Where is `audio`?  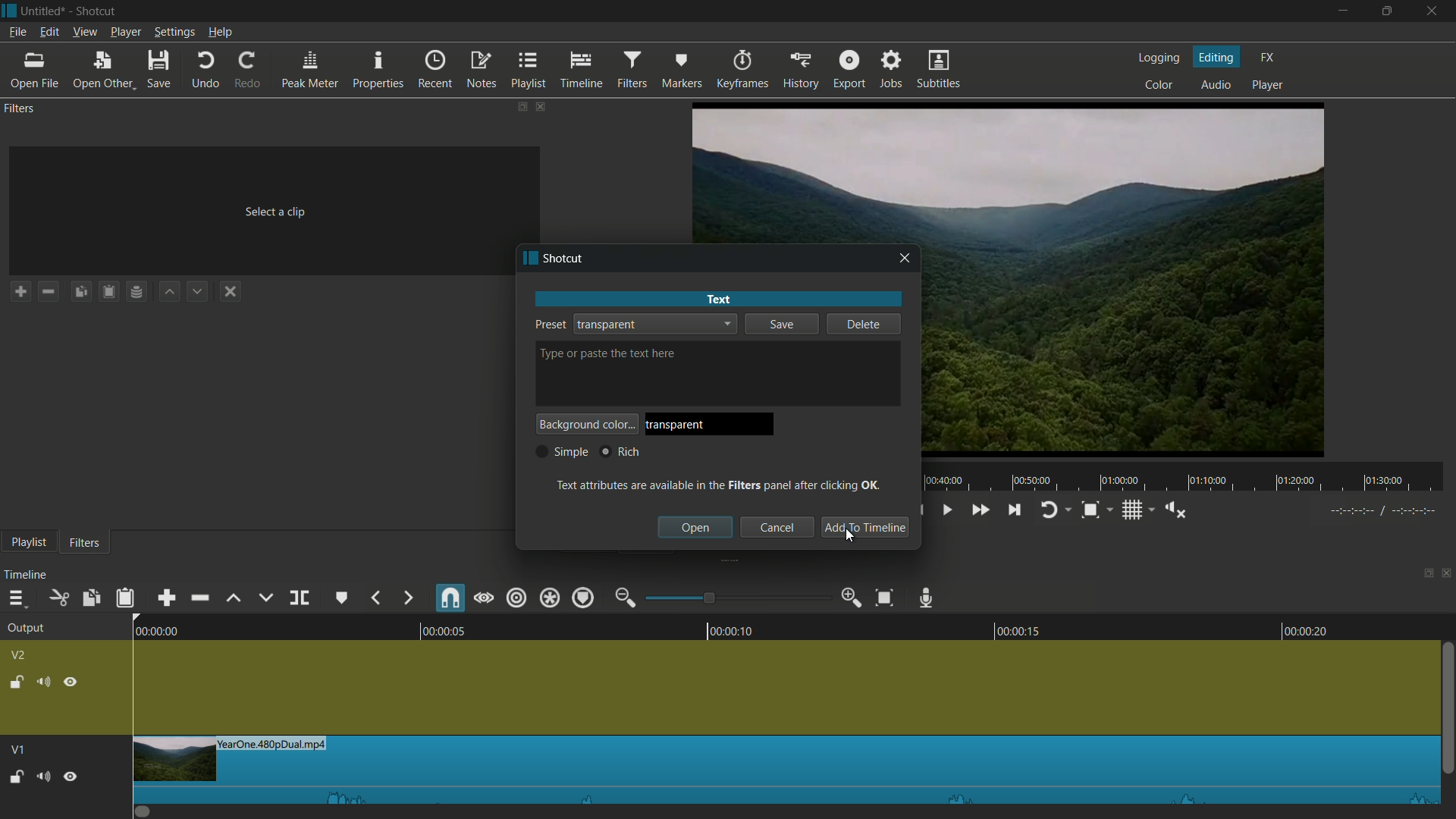
audio is located at coordinates (1216, 84).